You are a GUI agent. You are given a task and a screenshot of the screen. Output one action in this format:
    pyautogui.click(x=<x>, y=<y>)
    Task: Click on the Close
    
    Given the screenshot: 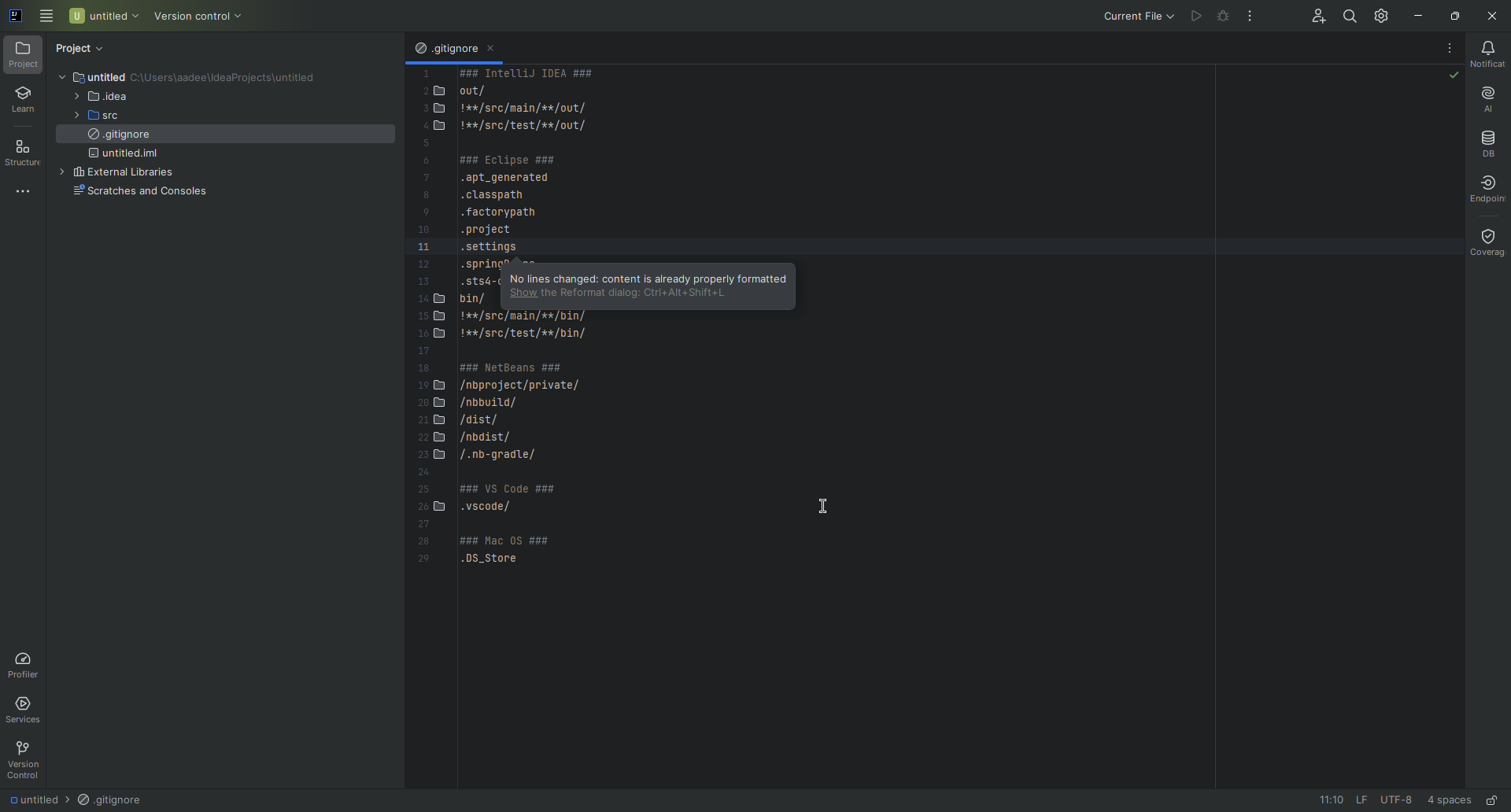 What is the action you would take?
    pyautogui.click(x=1494, y=16)
    